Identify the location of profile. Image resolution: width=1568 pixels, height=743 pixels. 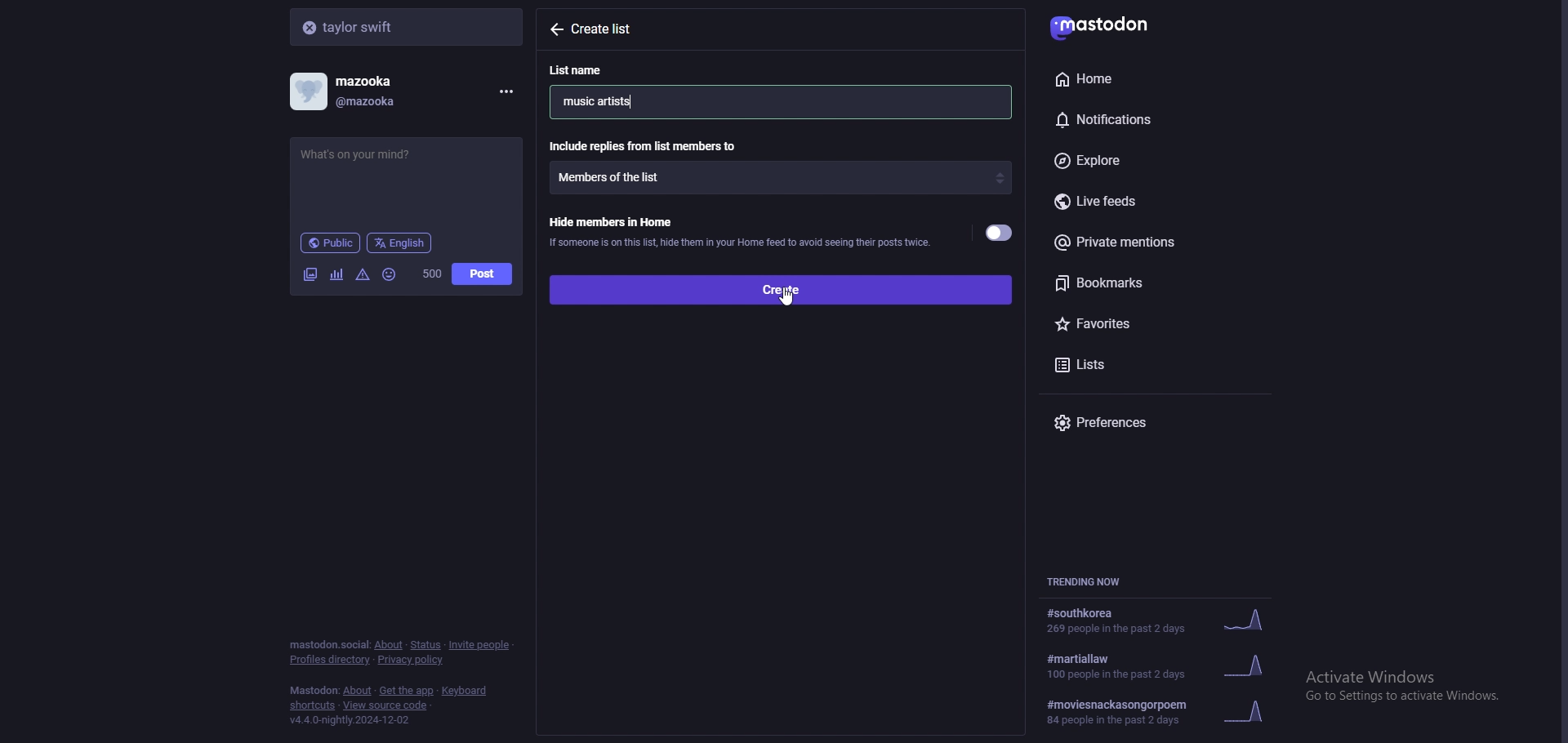
(356, 91).